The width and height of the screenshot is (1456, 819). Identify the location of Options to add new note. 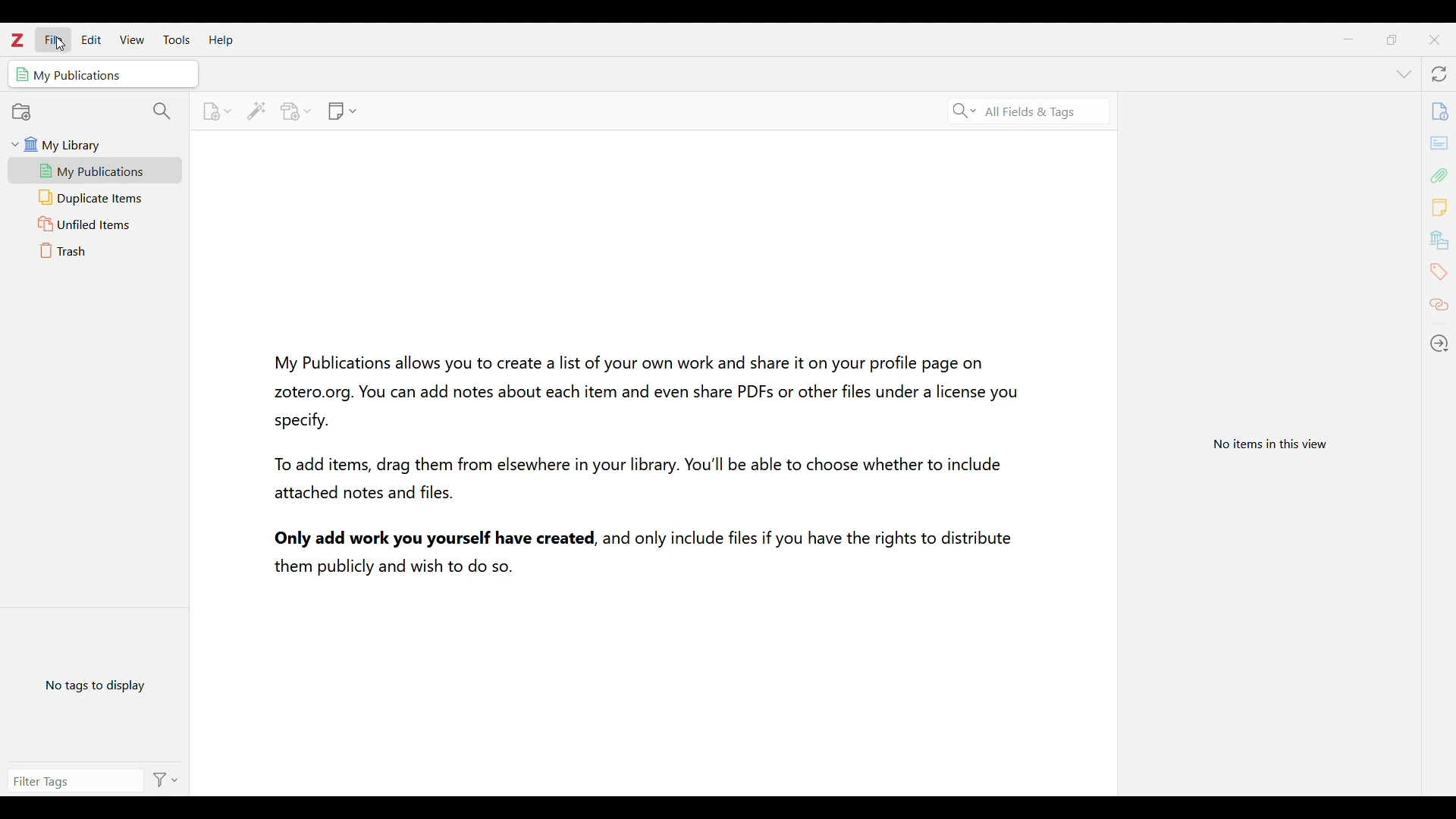
(343, 111).